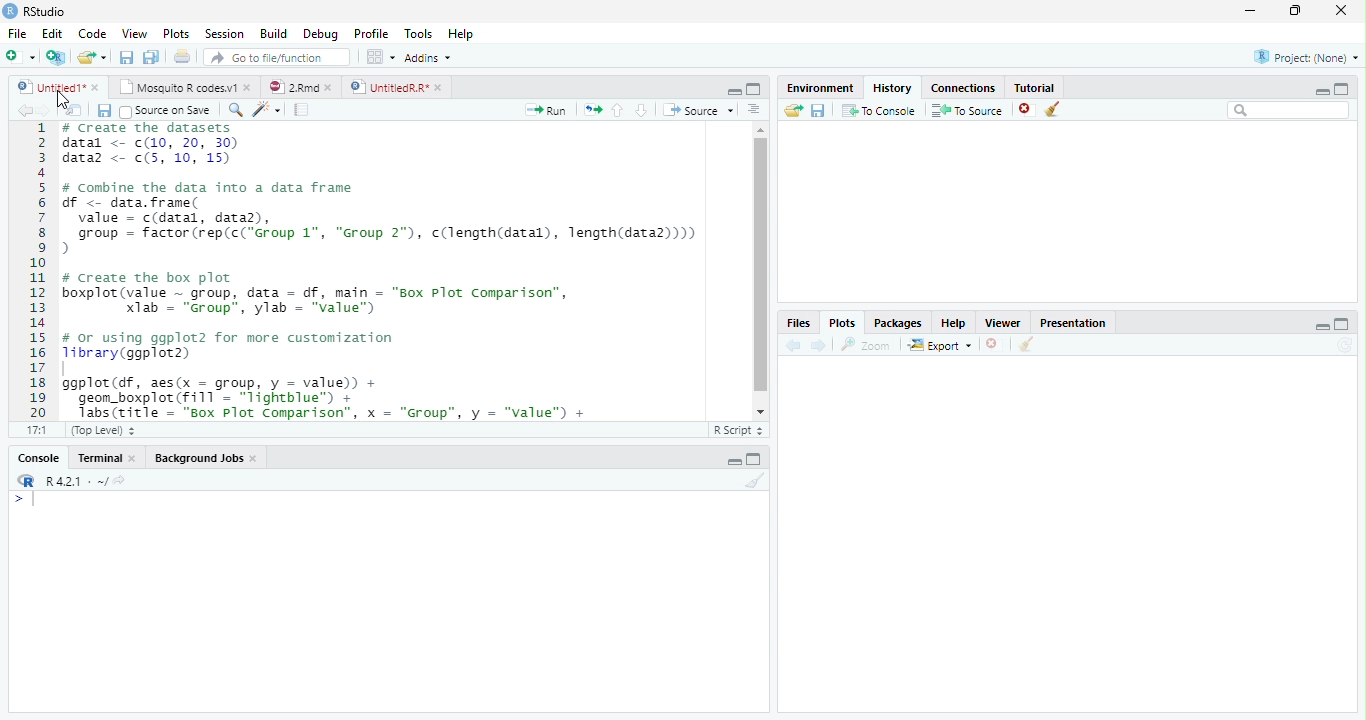  Describe the element at coordinates (278, 57) in the screenshot. I see `Go to file/function` at that location.